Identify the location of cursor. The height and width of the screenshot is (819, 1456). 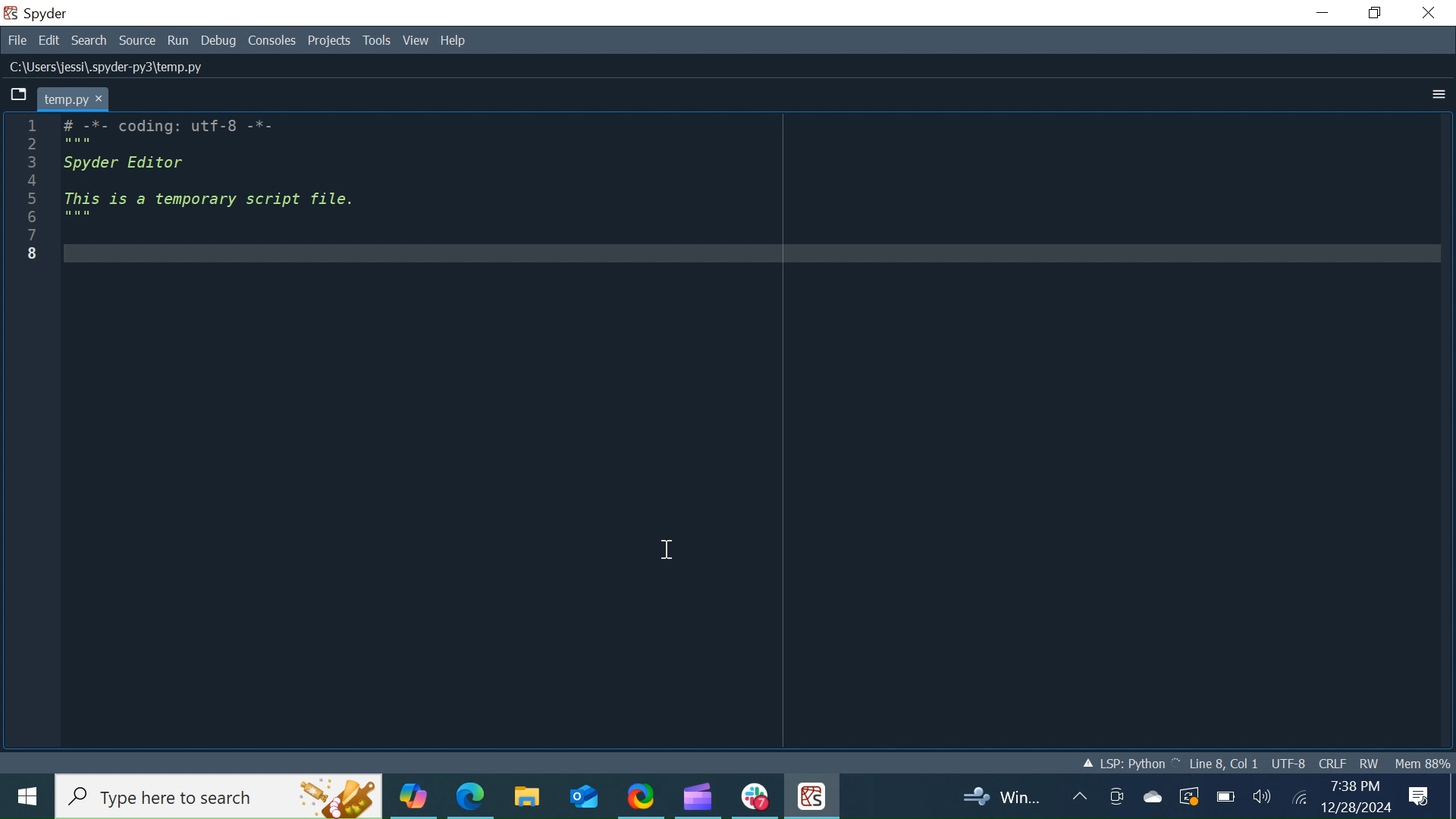
(666, 554).